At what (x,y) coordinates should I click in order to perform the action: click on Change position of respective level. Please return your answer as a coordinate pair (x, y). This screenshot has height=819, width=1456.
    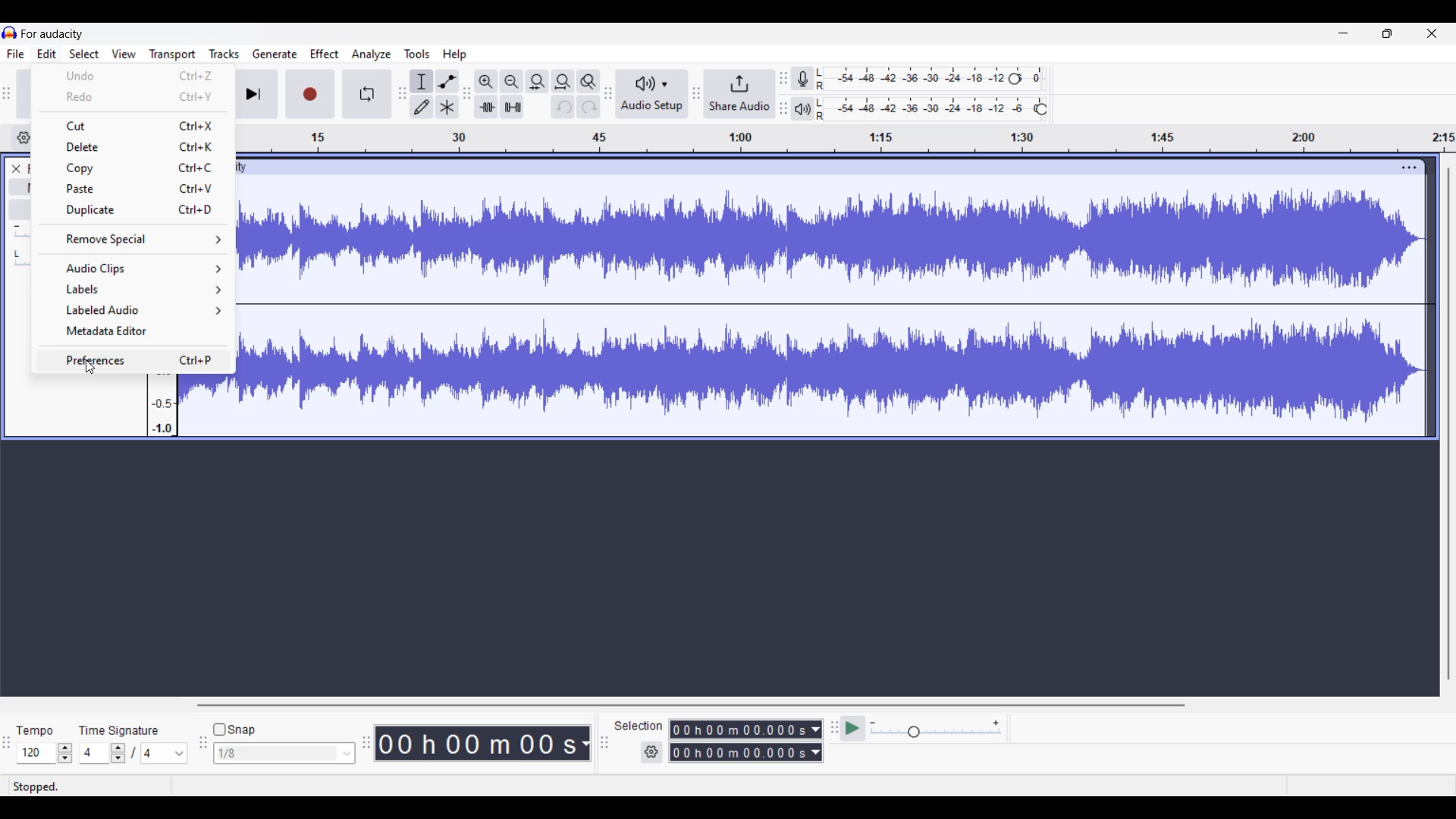
    Looking at the image, I should click on (783, 93).